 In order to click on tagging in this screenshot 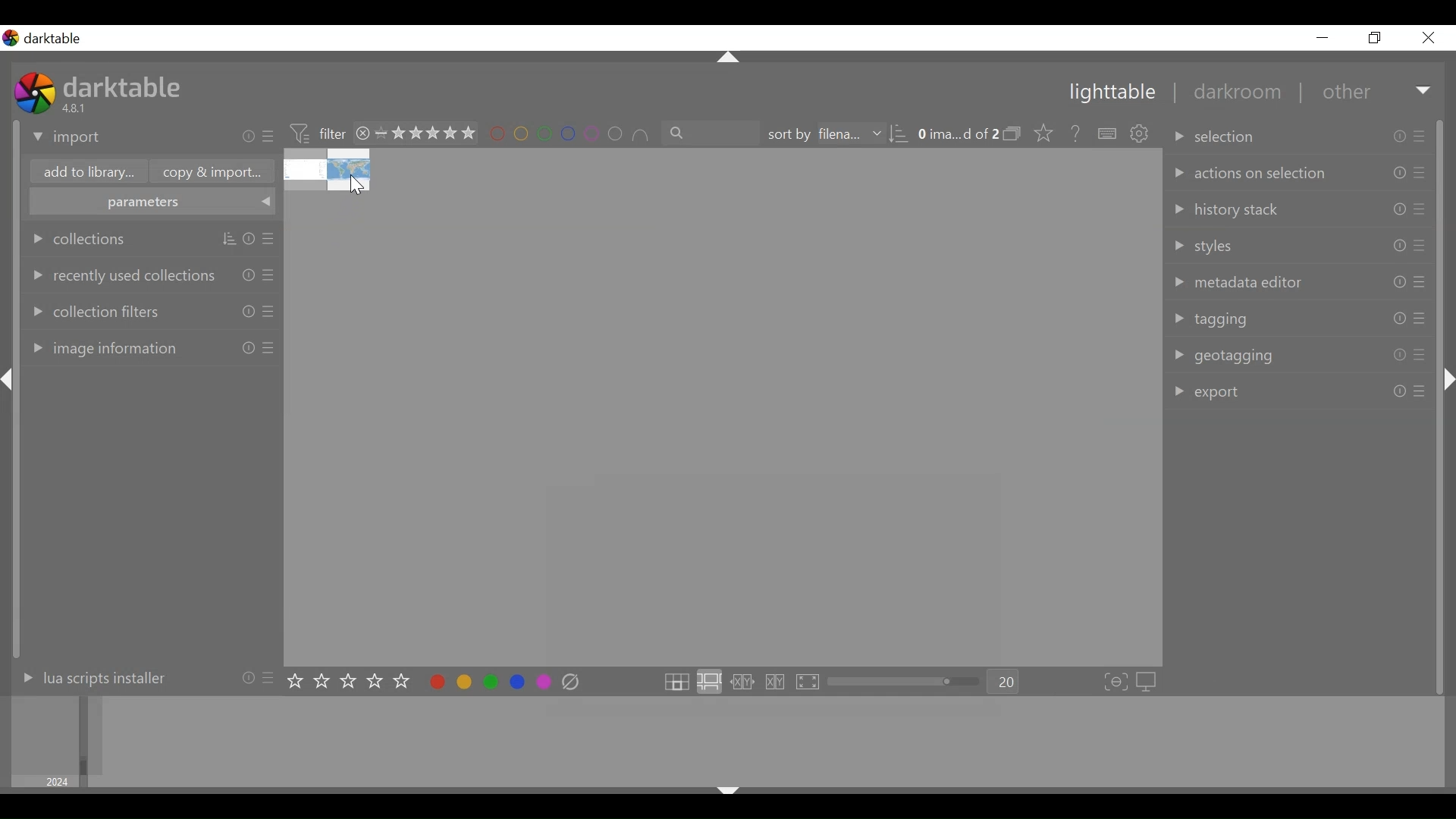, I will do `click(1257, 319)`.